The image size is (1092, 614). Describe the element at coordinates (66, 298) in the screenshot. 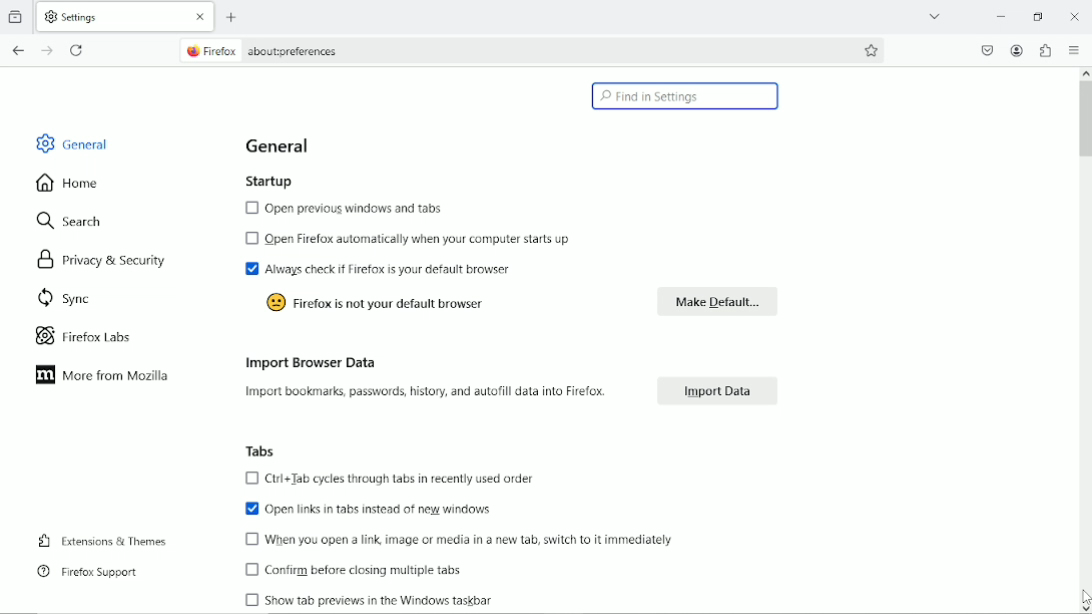

I see `Sync` at that location.